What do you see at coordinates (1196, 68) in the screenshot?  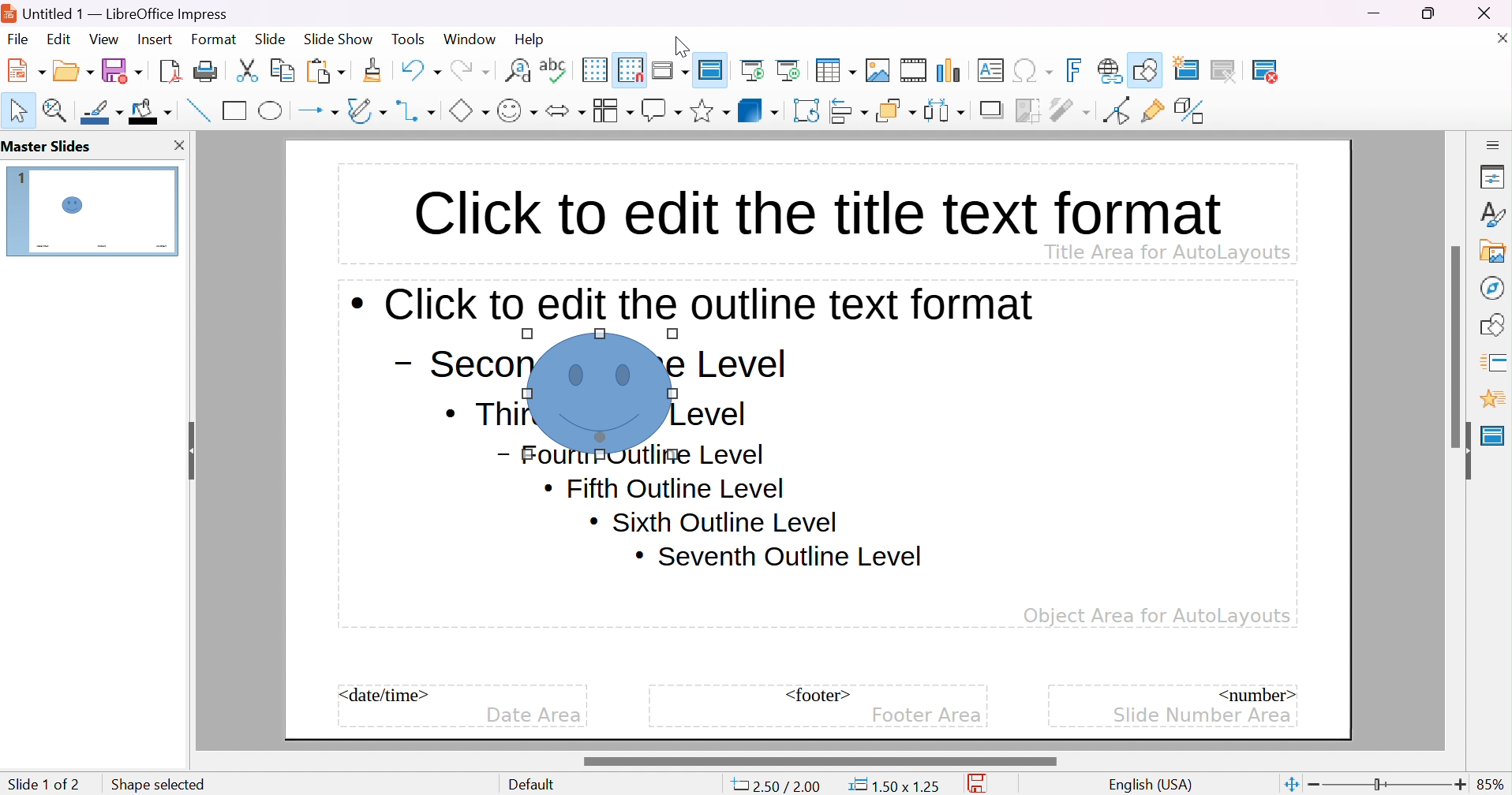 I see `new slide` at bounding box center [1196, 68].